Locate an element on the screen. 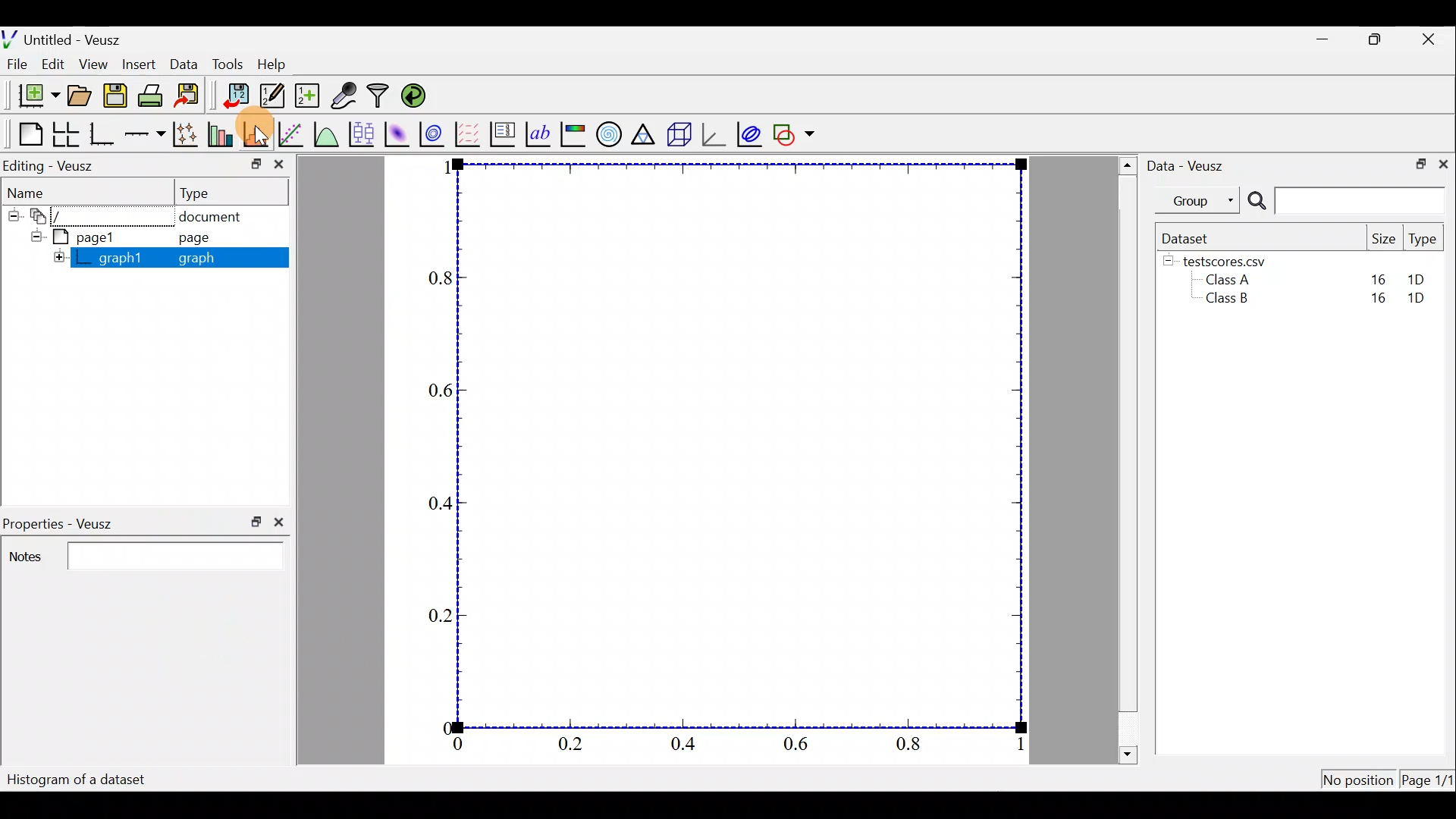 This screenshot has width=1456, height=819. Capture remote data is located at coordinates (346, 96).